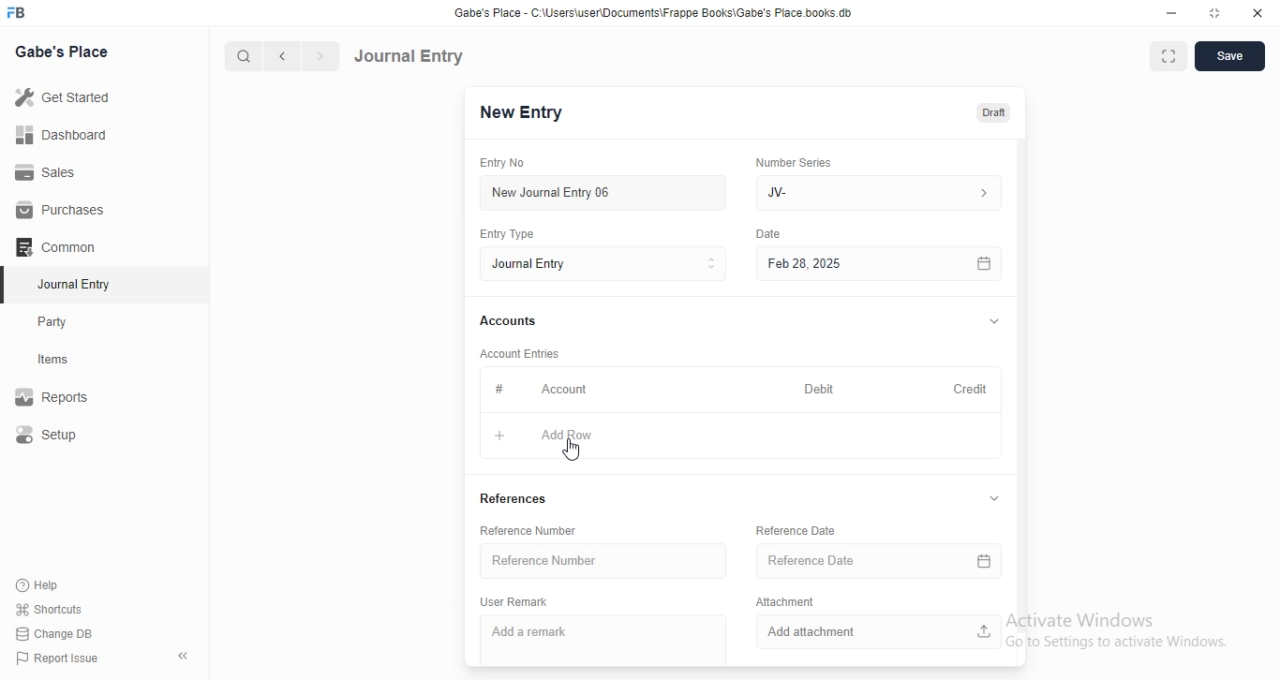 The image size is (1280, 680). Describe the element at coordinates (62, 51) in the screenshot. I see `Gabe's Place` at that location.